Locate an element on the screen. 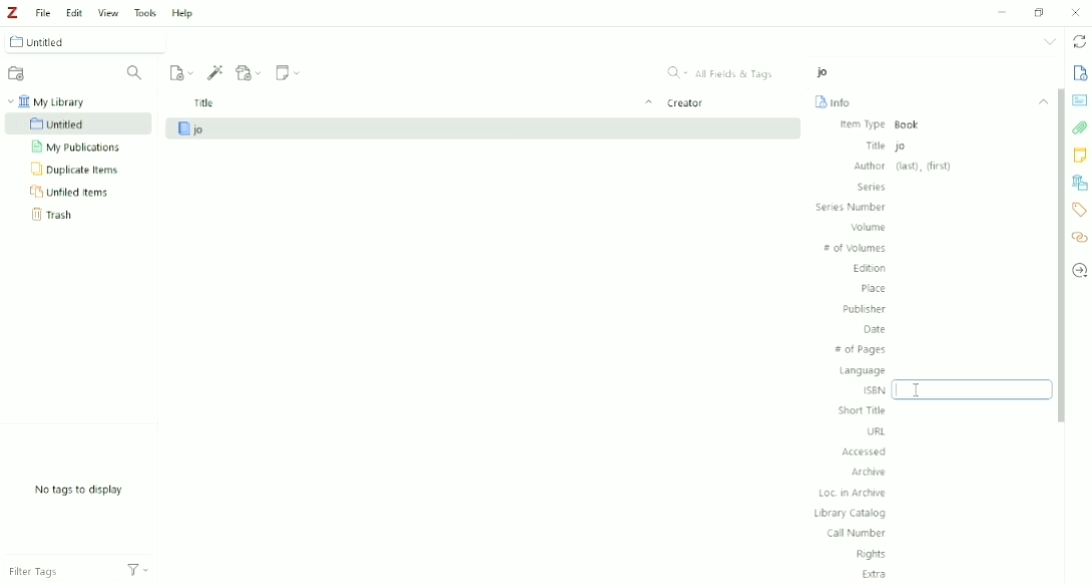 The height and width of the screenshot is (584, 1092). Publisher is located at coordinates (862, 309).